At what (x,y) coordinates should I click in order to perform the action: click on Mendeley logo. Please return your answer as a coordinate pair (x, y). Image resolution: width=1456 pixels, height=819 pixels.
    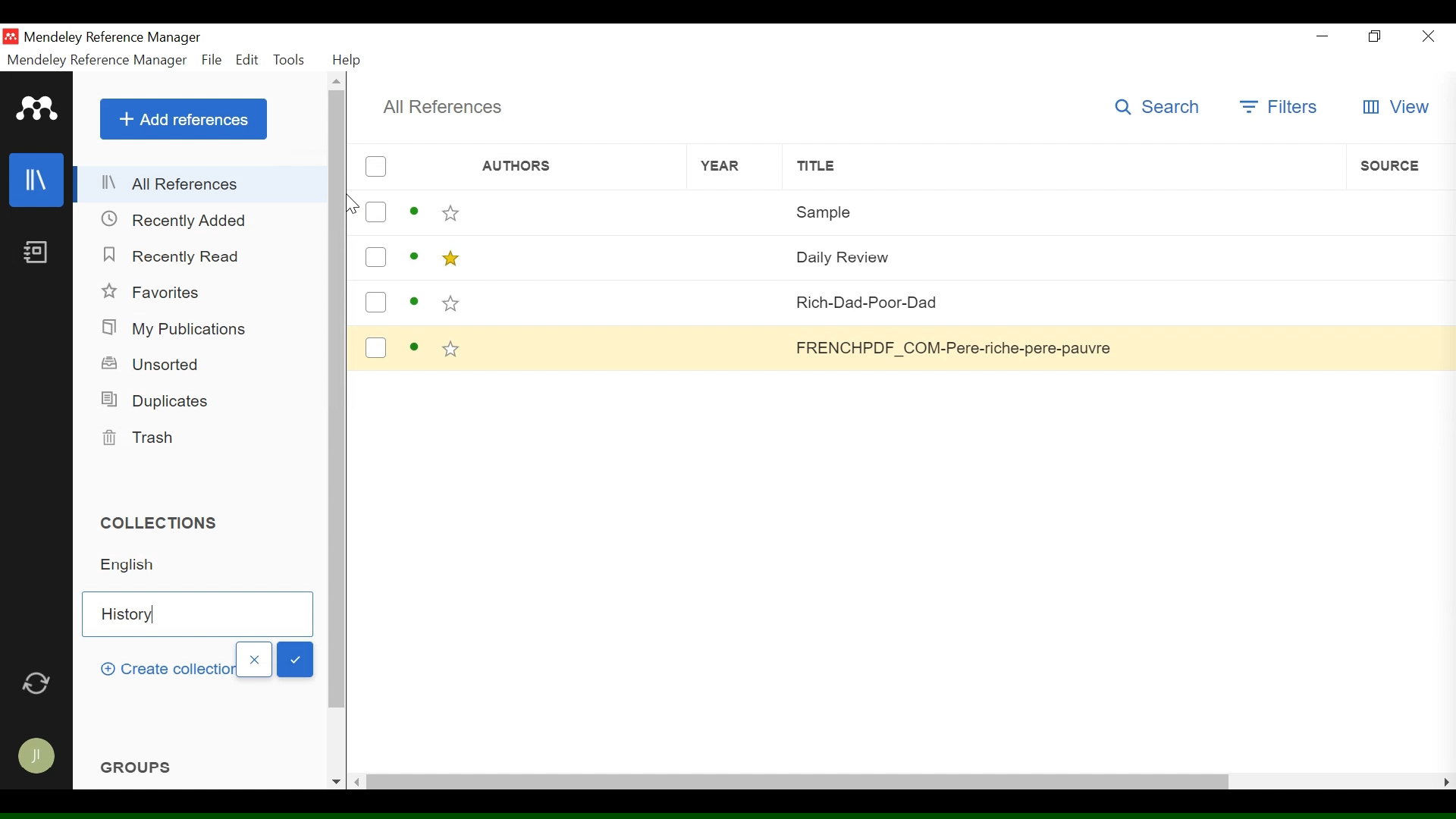
    Looking at the image, I should click on (37, 110).